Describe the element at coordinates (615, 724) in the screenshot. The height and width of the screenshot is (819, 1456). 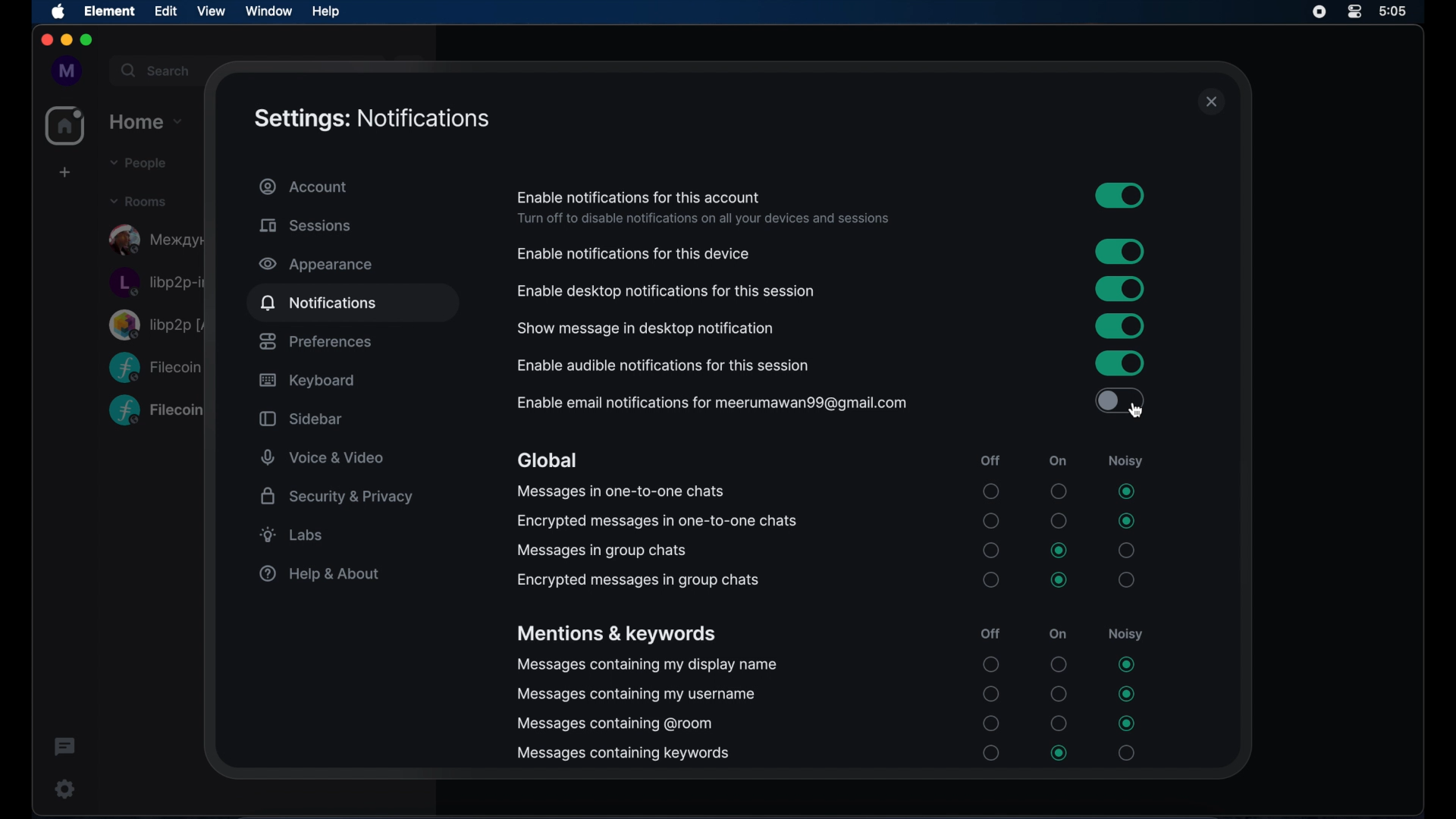
I see `messages containing @room` at that location.